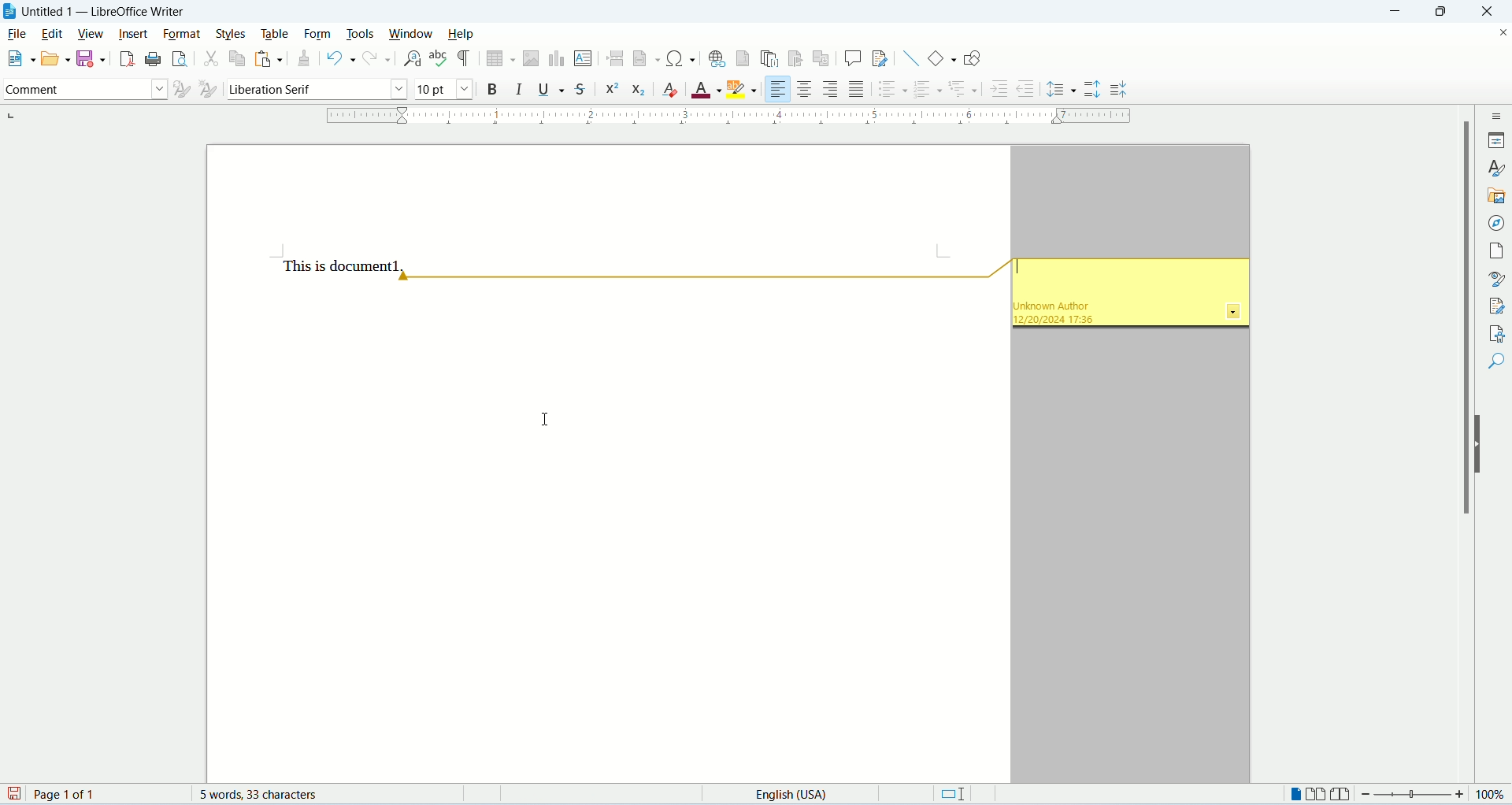  Describe the element at coordinates (795, 60) in the screenshot. I see `insert bibliograph` at that location.